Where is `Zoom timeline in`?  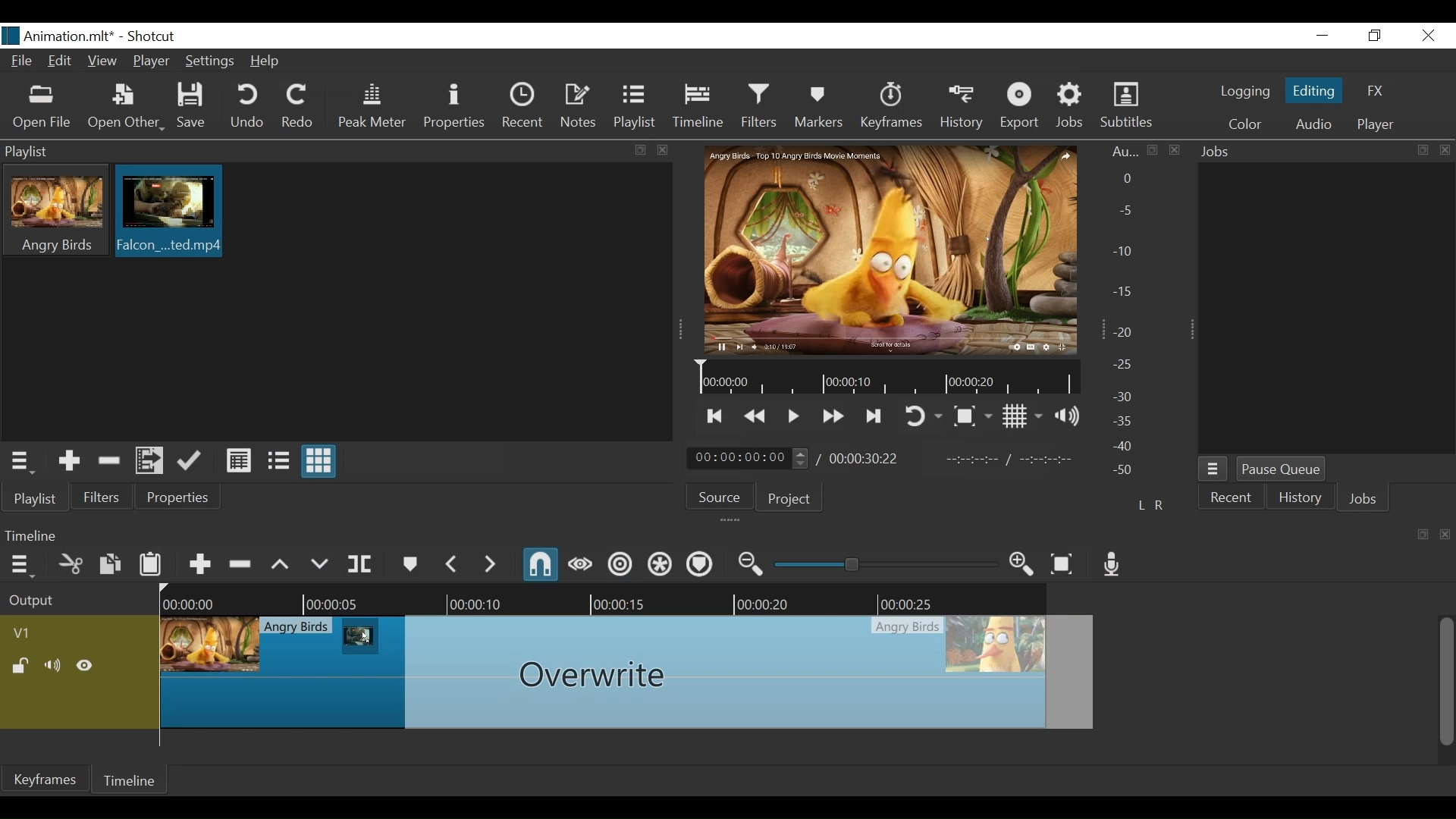
Zoom timeline in is located at coordinates (1022, 566).